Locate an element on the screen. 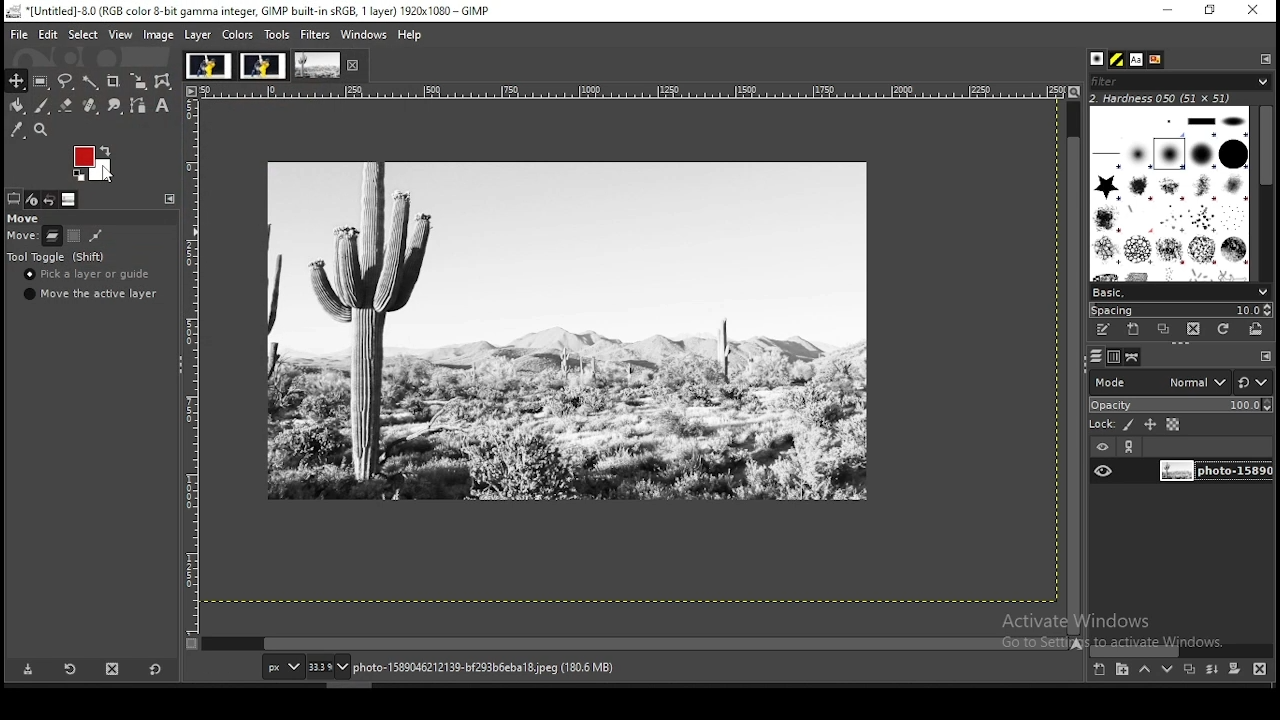 This screenshot has width=1280, height=720. brushes is located at coordinates (1171, 193).